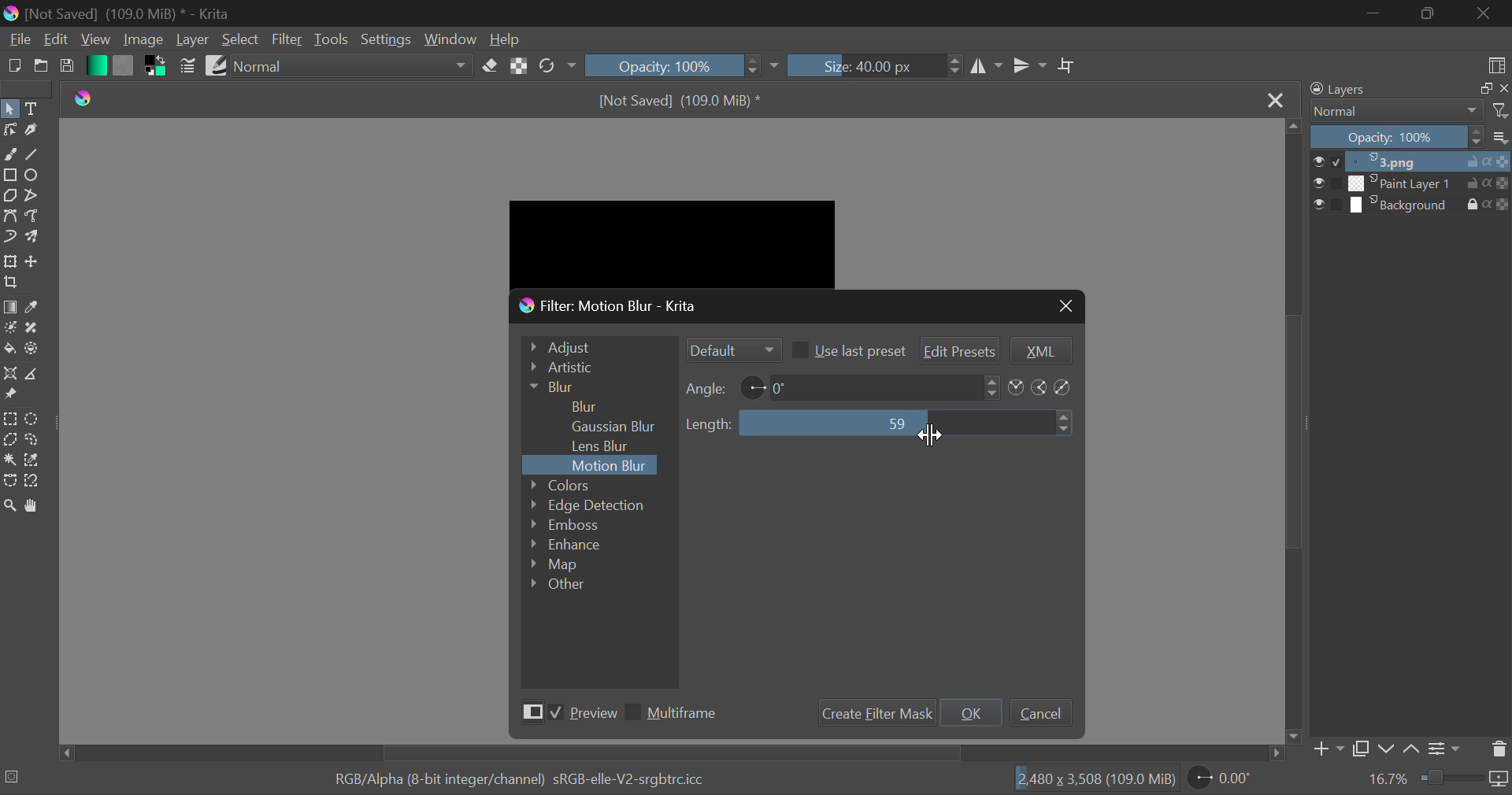 Image resolution: width=1512 pixels, height=795 pixels. Describe the element at coordinates (684, 98) in the screenshot. I see `[Not Saved] (109.0 MiB) * ` at that location.